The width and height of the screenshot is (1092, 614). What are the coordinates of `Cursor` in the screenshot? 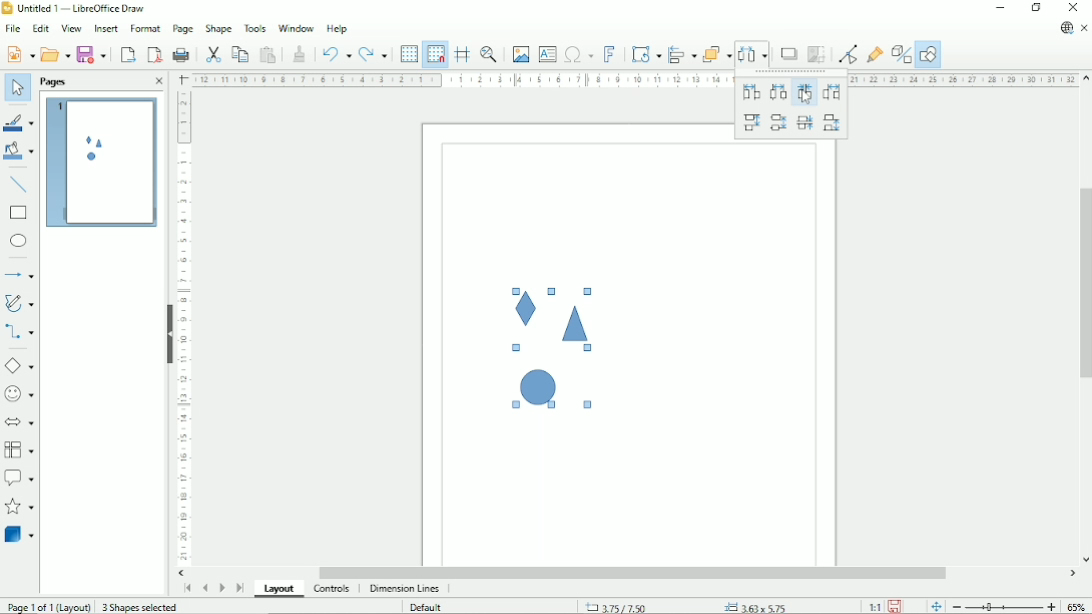 It's located at (805, 98).